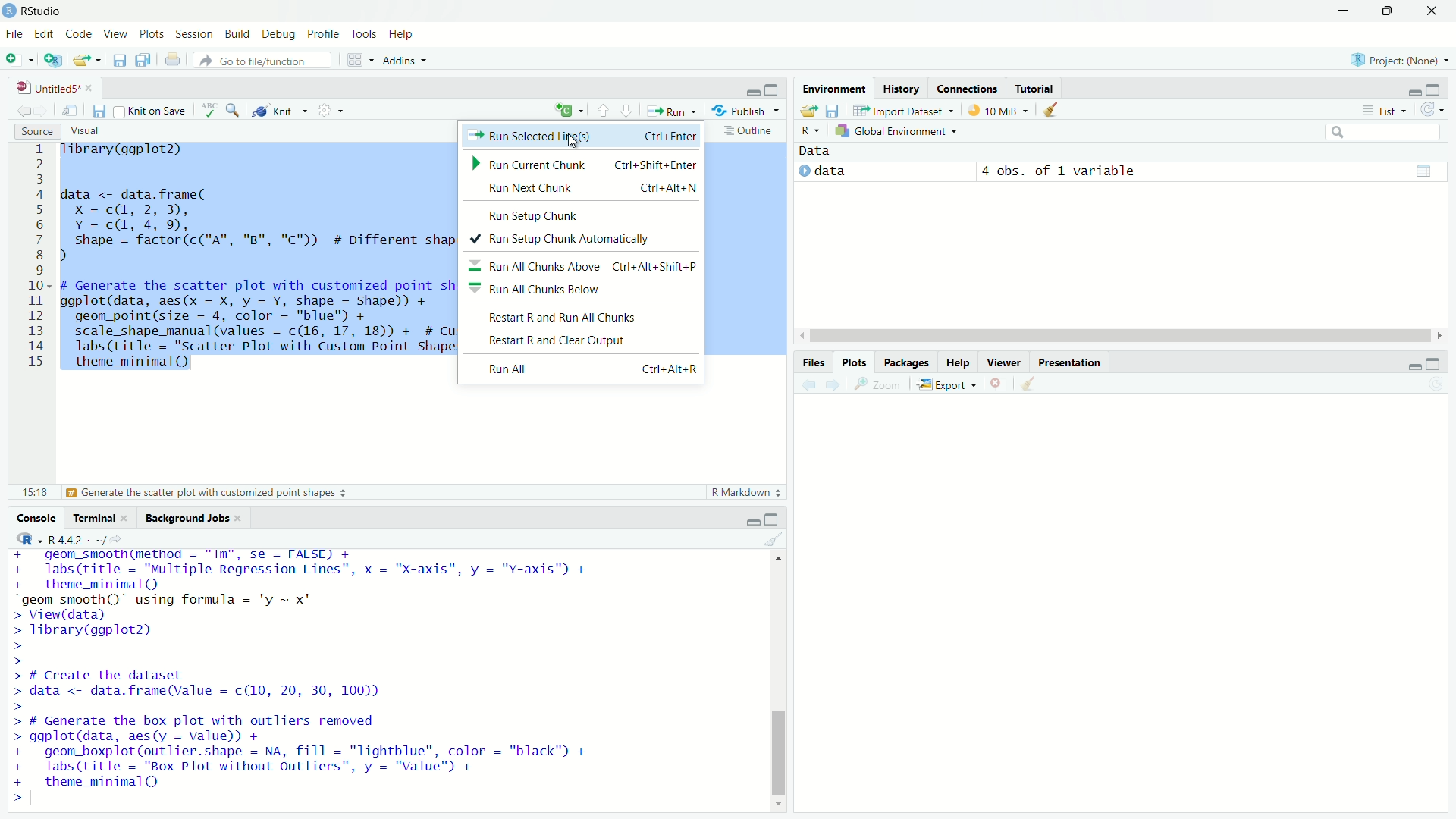  Describe the element at coordinates (364, 33) in the screenshot. I see `Tools` at that location.